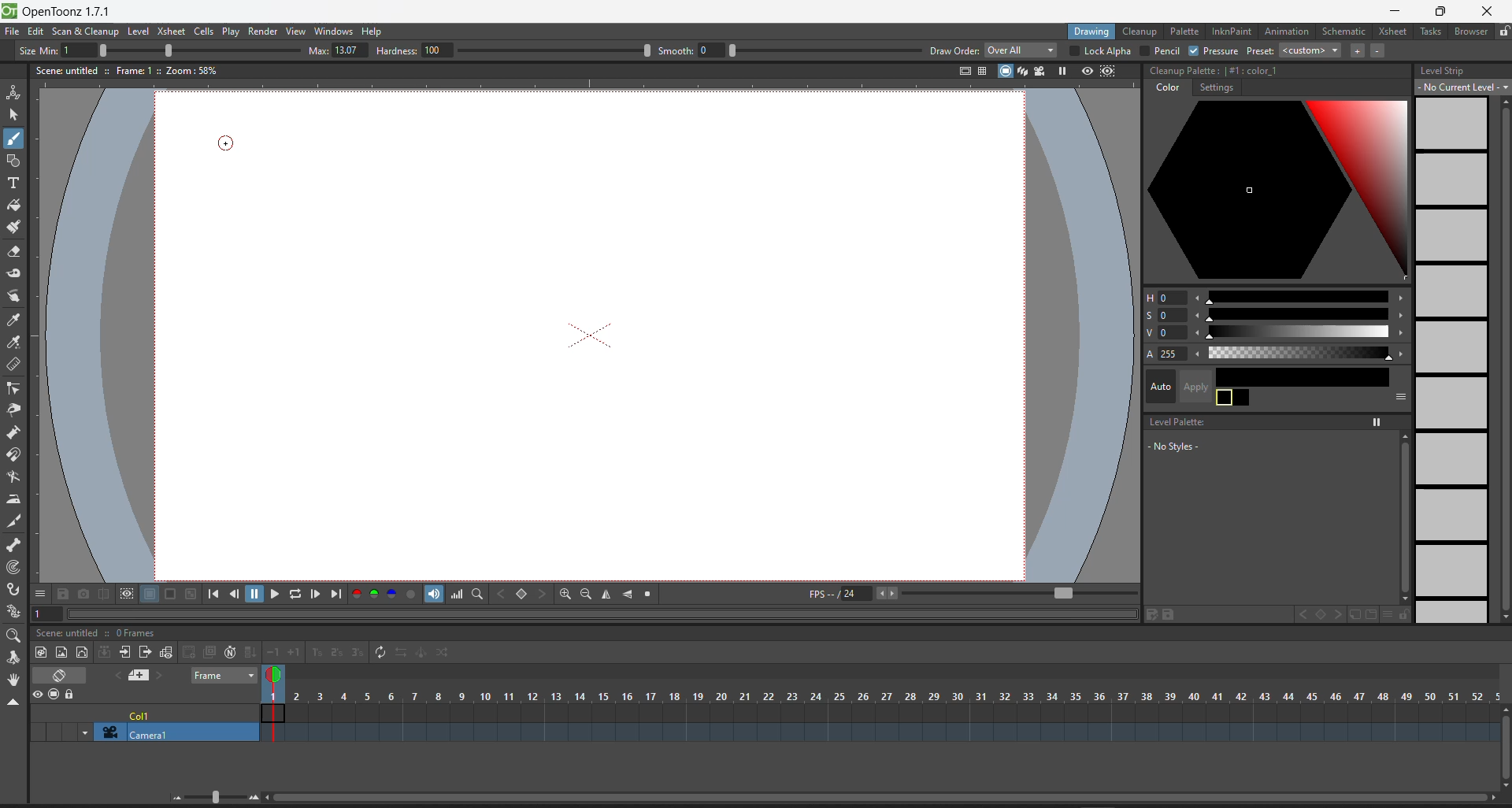 The image size is (1512, 808). What do you see at coordinates (17, 366) in the screenshot?
I see `ruler tool` at bounding box center [17, 366].